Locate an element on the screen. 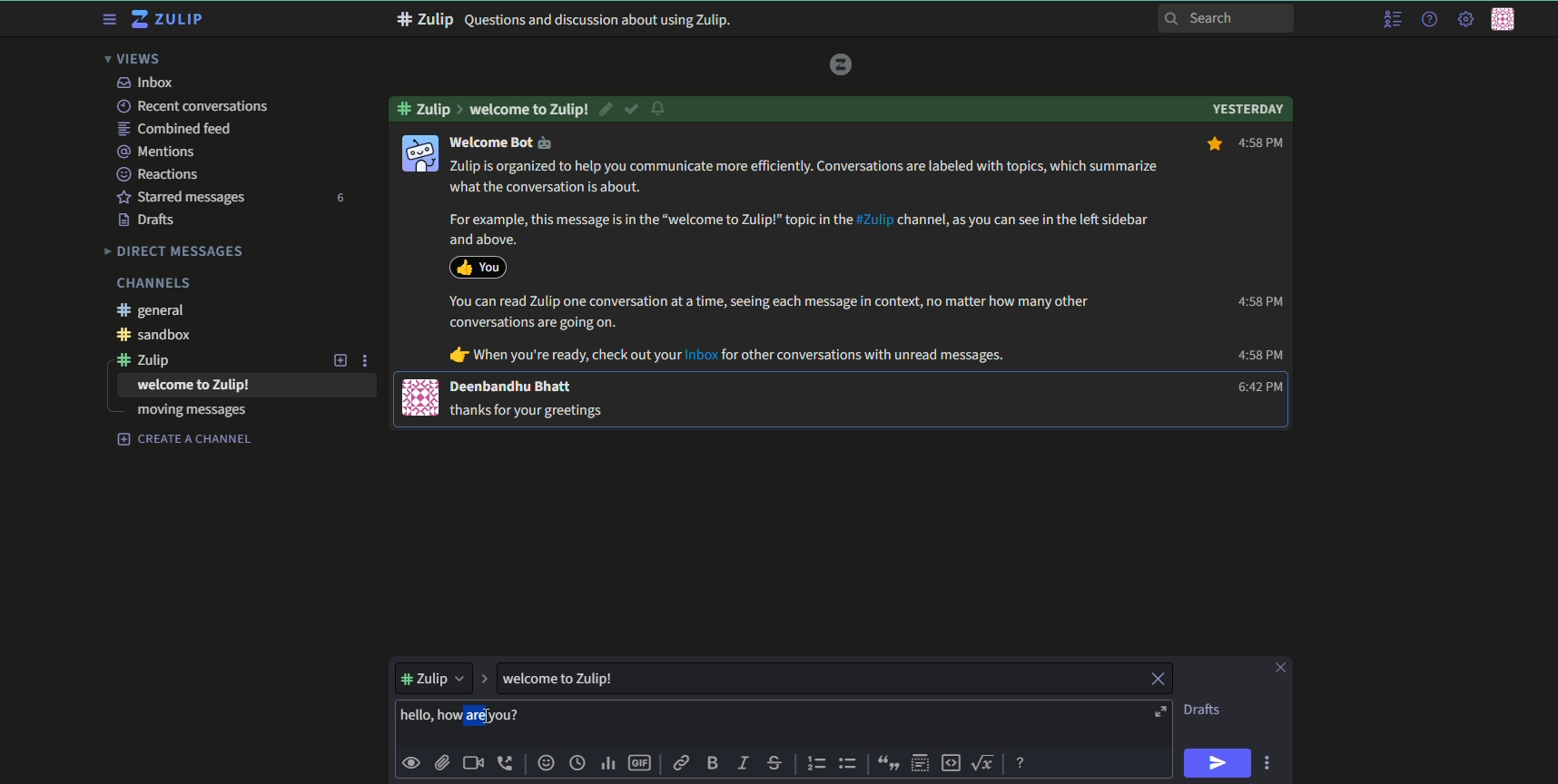 This screenshot has width=1558, height=784. send is located at coordinates (1218, 763).